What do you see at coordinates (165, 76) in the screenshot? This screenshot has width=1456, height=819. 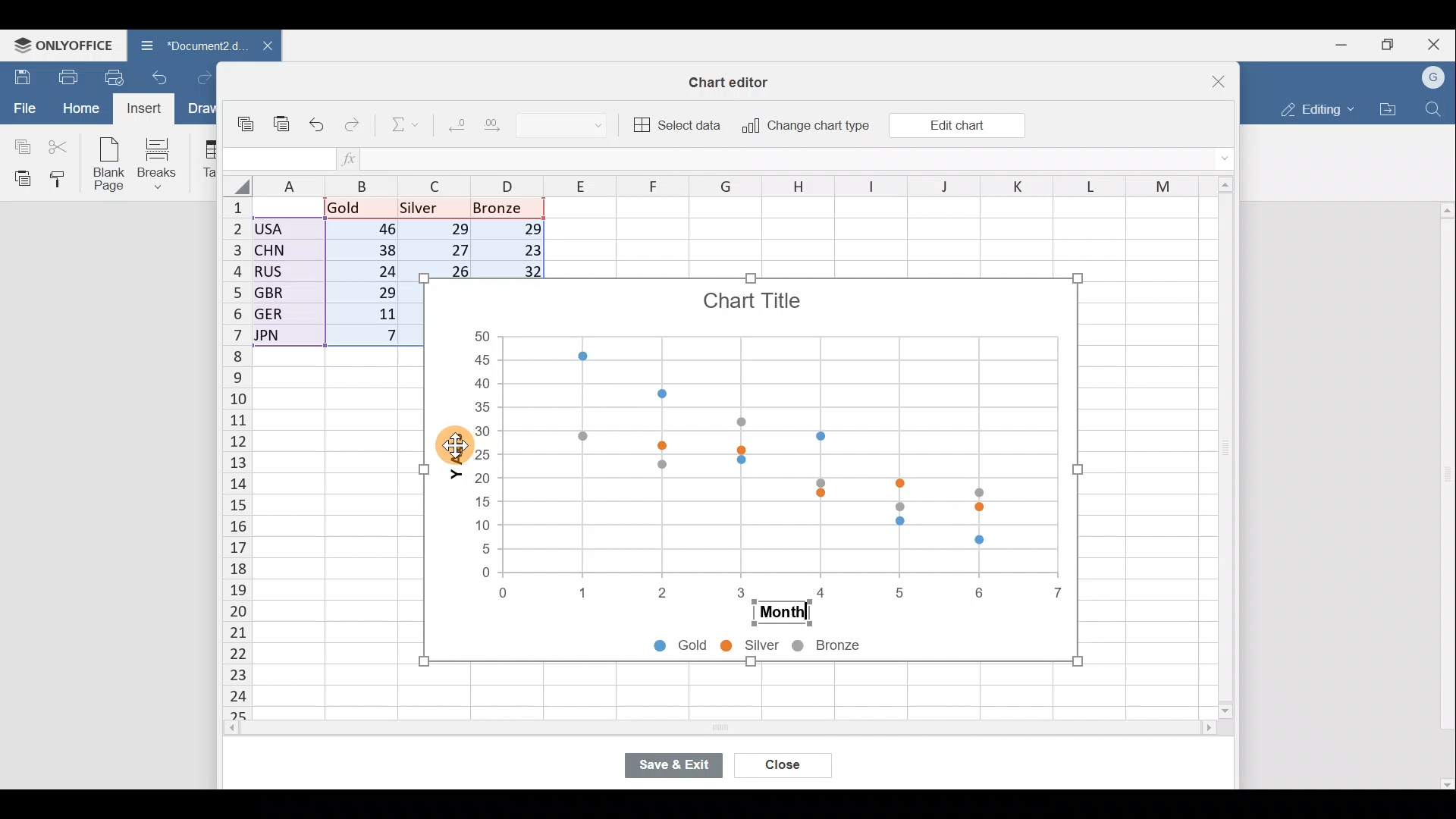 I see `Undo` at bounding box center [165, 76].